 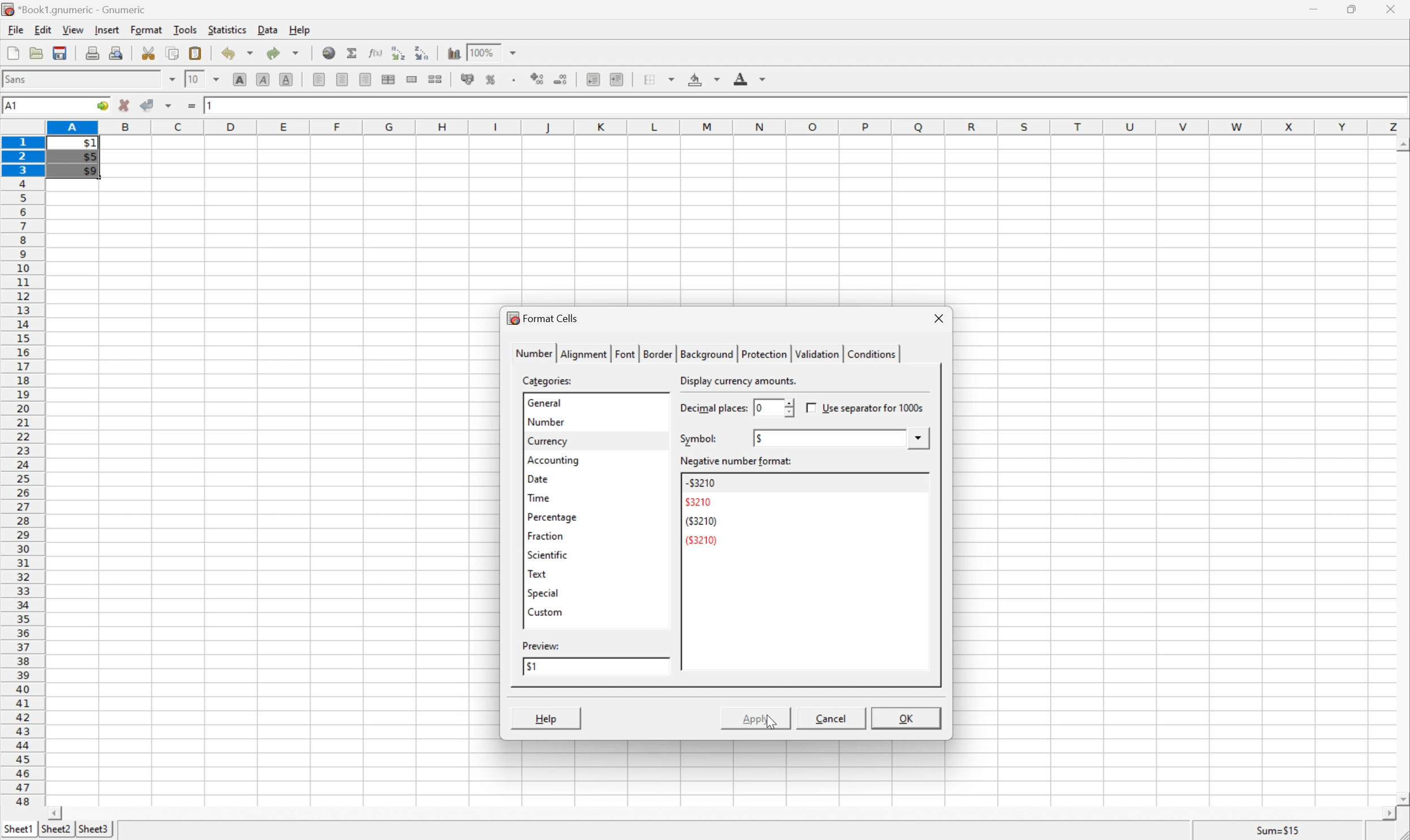 What do you see at coordinates (770, 722) in the screenshot?
I see `cursor` at bounding box center [770, 722].